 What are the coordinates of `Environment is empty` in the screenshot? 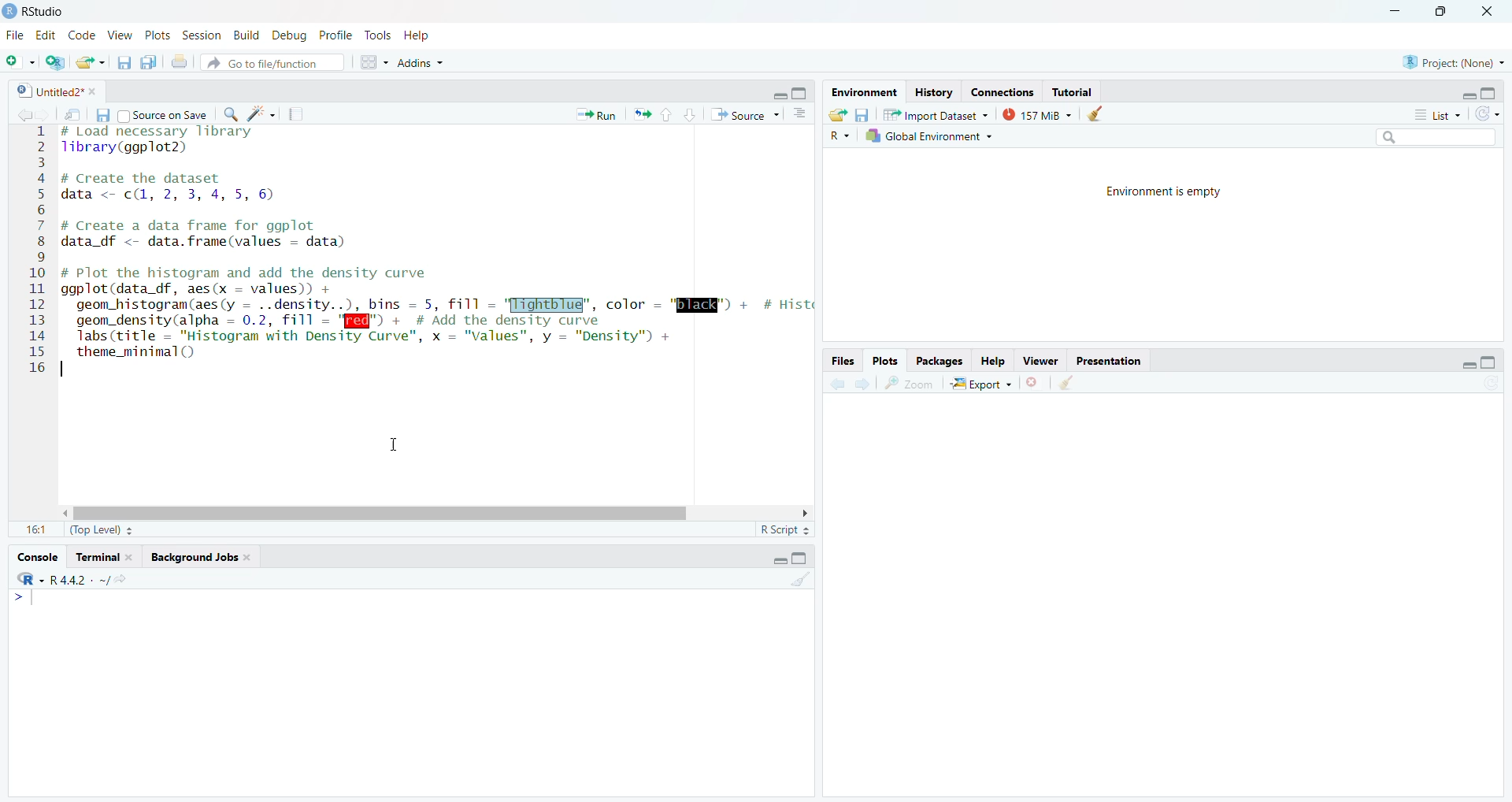 It's located at (1167, 191).